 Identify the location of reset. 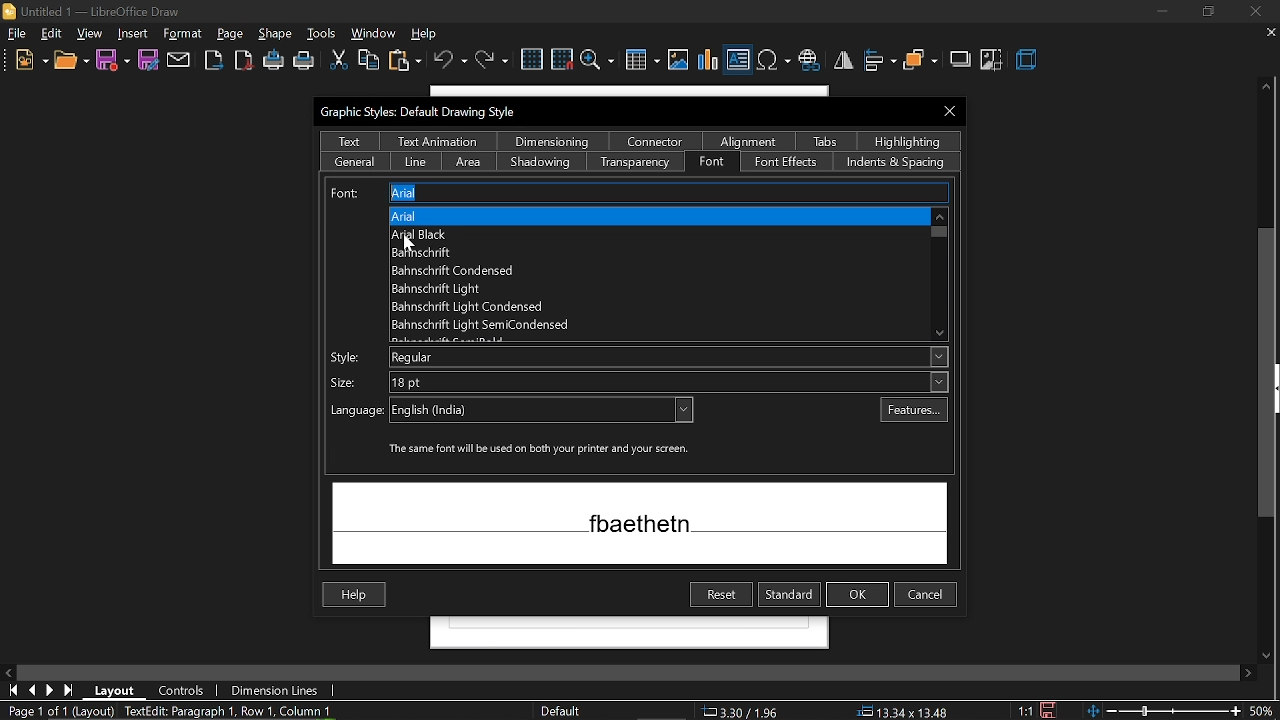
(721, 595).